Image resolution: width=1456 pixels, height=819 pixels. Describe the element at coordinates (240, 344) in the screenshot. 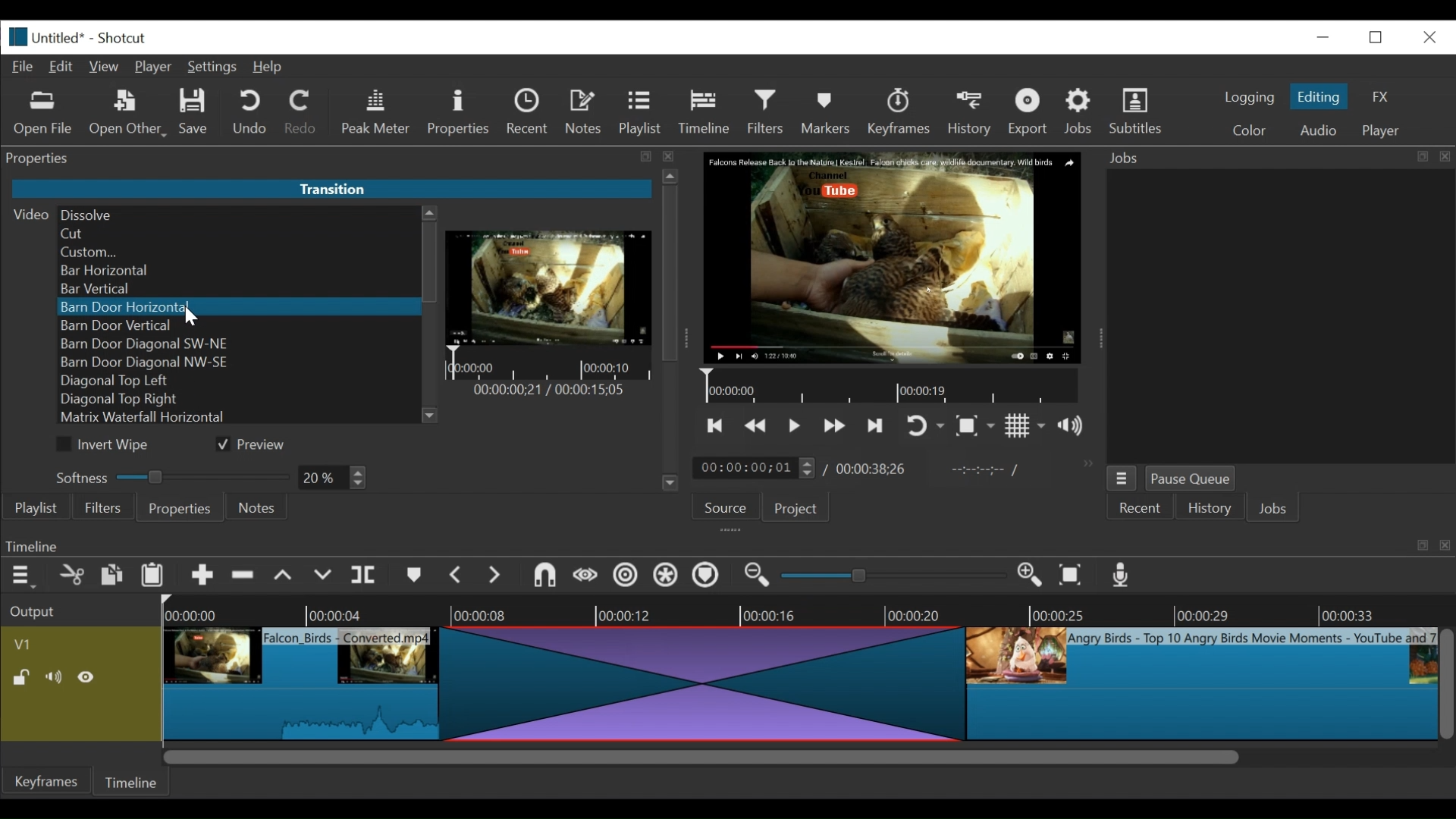

I see `Barn Door Diagonal SW-NE` at that location.